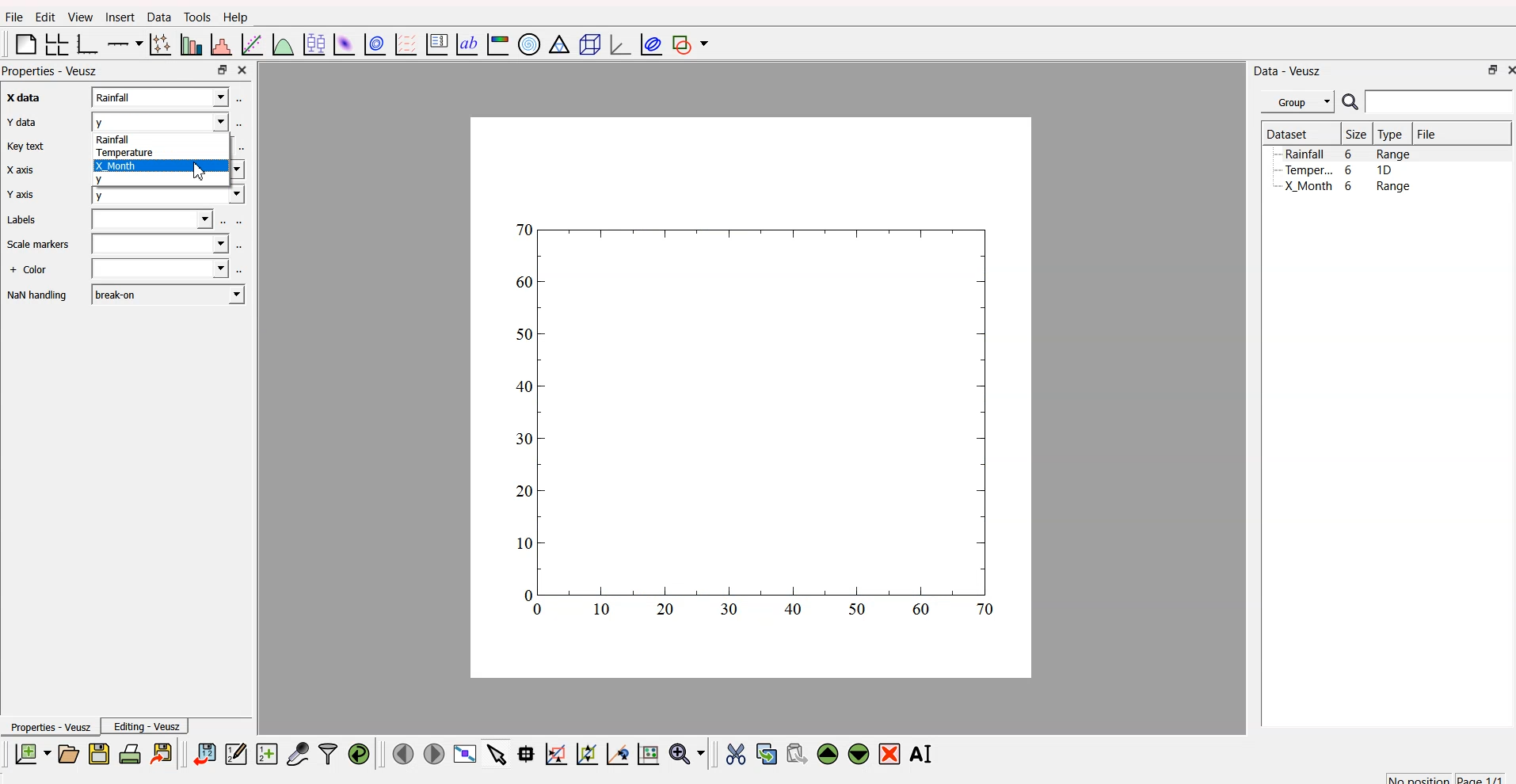 The image size is (1516, 784). What do you see at coordinates (164, 752) in the screenshot?
I see `export to graphics format` at bounding box center [164, 752].